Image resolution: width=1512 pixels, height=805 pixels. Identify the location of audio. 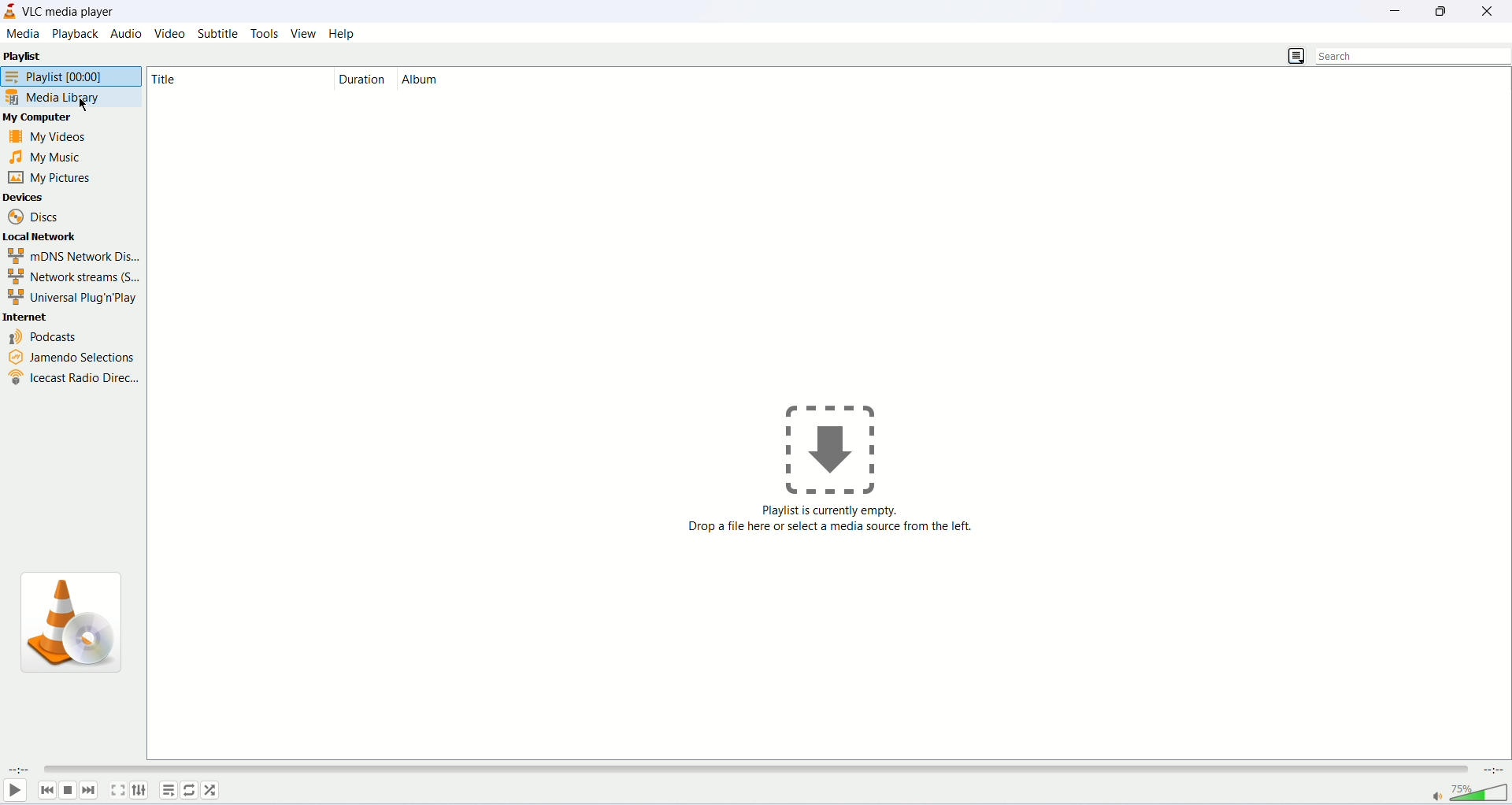
(128, 32).